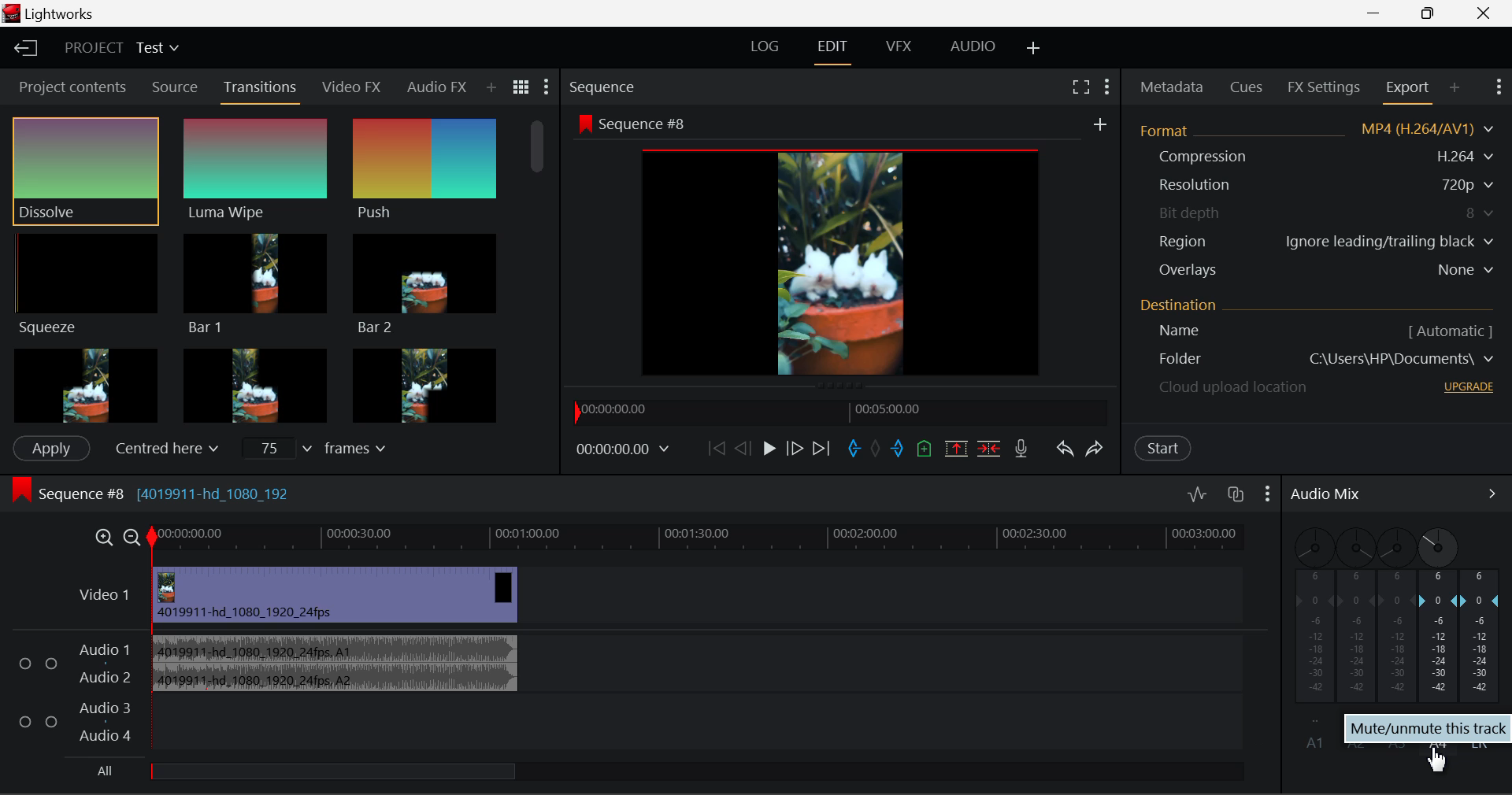  Describe the element at coordinates (23, 47) in the screenshot. I see `Back to Homepage` at that location.